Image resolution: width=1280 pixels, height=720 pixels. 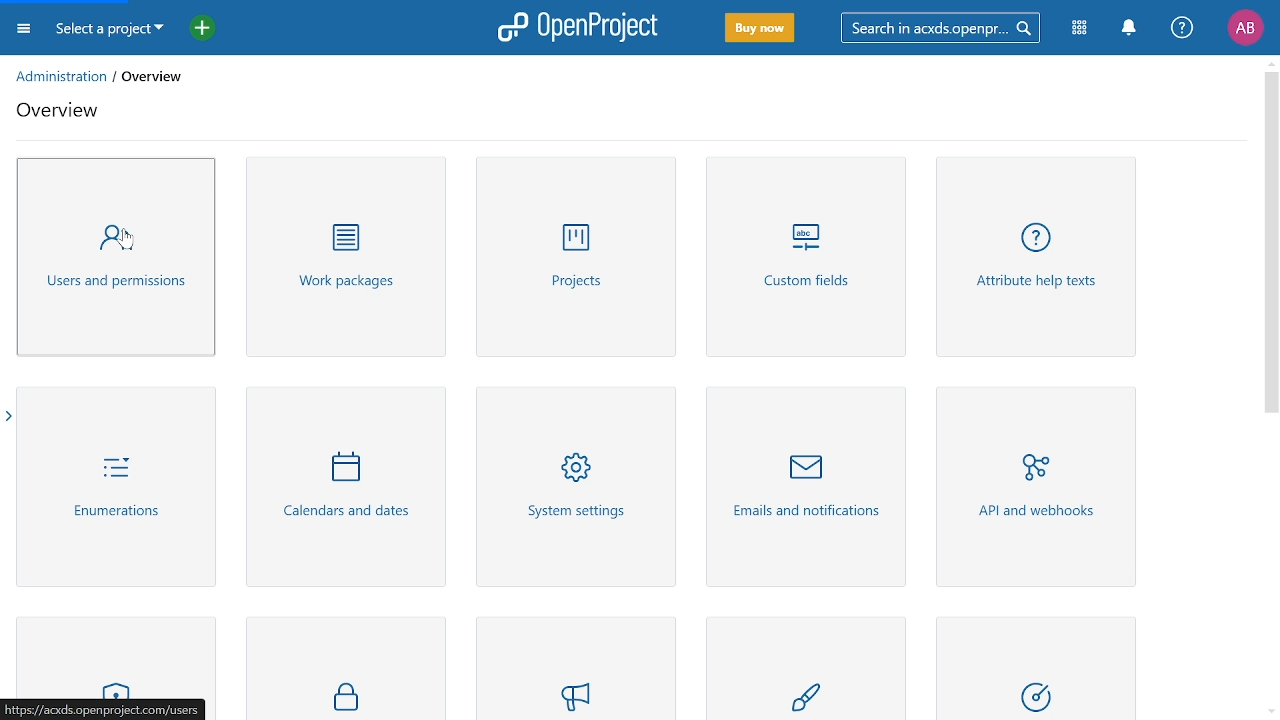 What do you see at coordinates (118, 655) in the screenshot?
I see `Authentication` at bounding box center [118, 655].